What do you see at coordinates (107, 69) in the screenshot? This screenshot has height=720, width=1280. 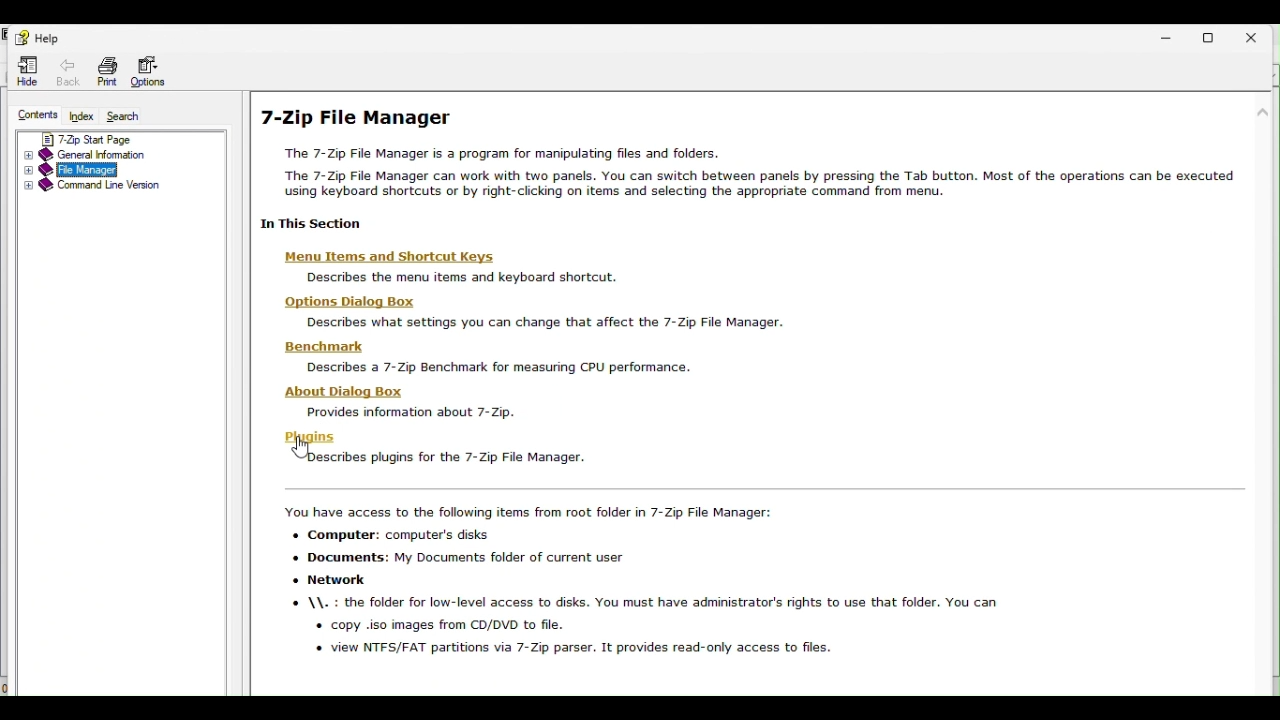 I see `Print` at bounding box center [107, 69].